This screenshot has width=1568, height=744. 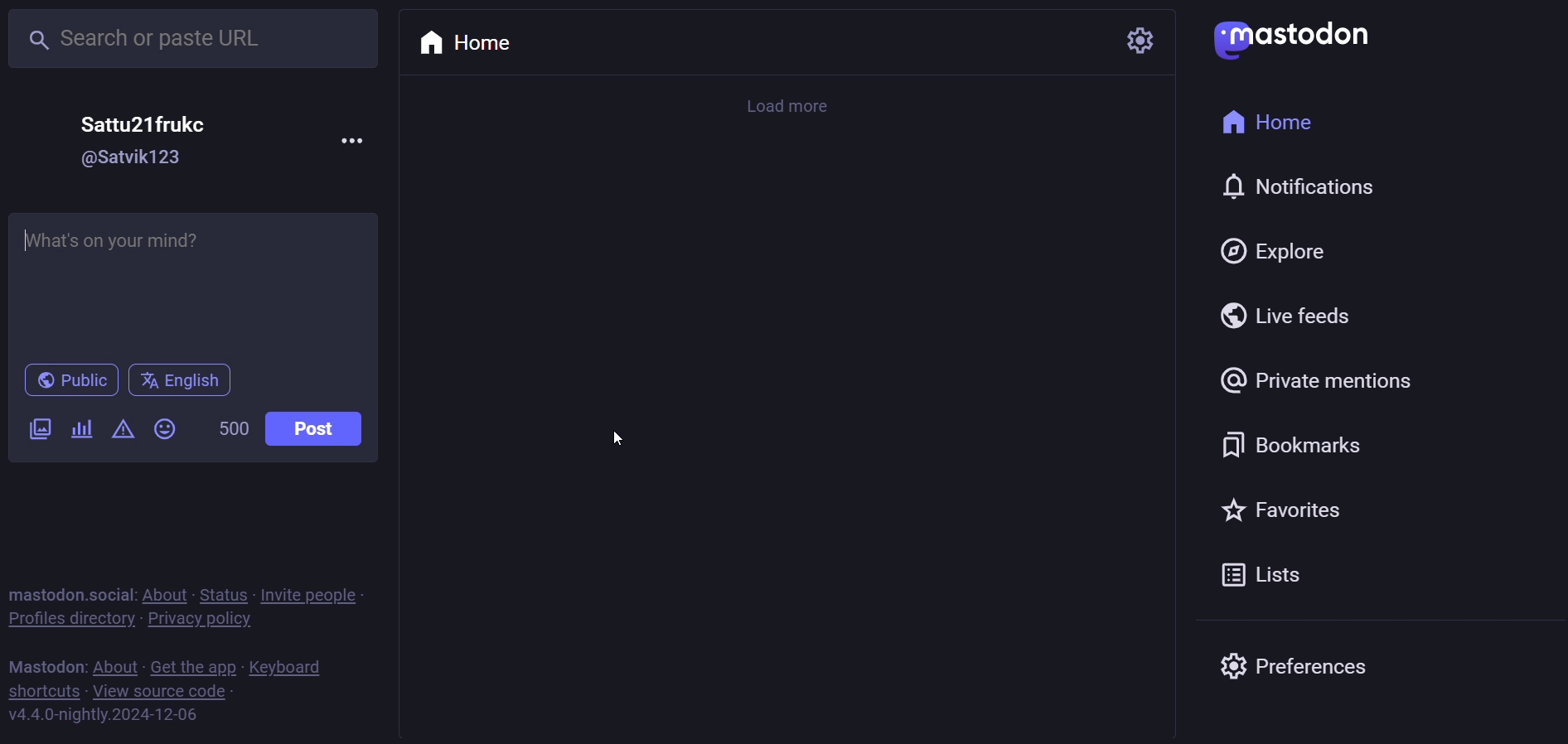 What do you see at coordinates (194, 283) in the screenshot?
I see `write here` at bounding box center [194, 283].